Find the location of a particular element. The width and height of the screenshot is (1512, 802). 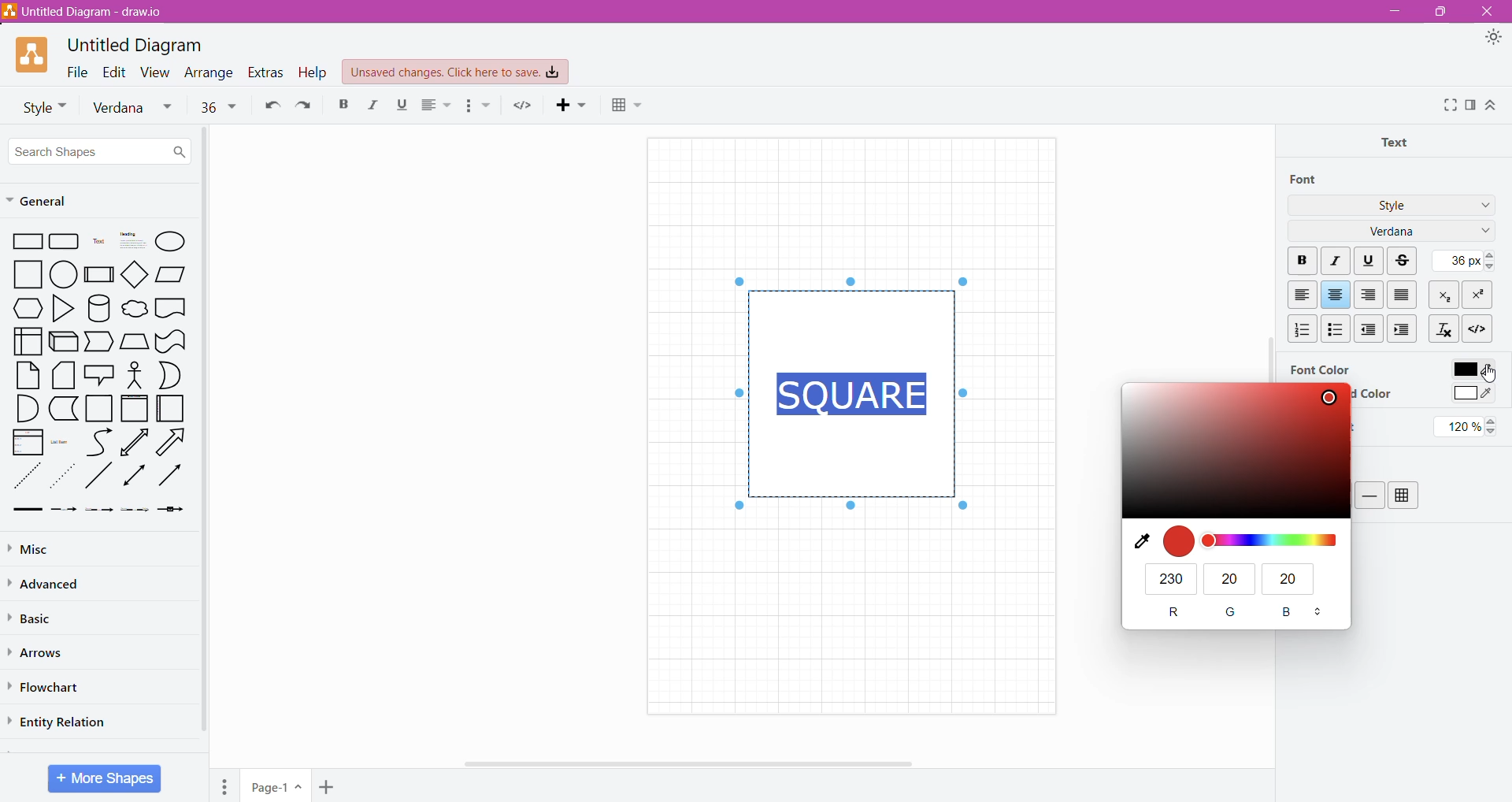

circle is located at coordinates (64, 273).